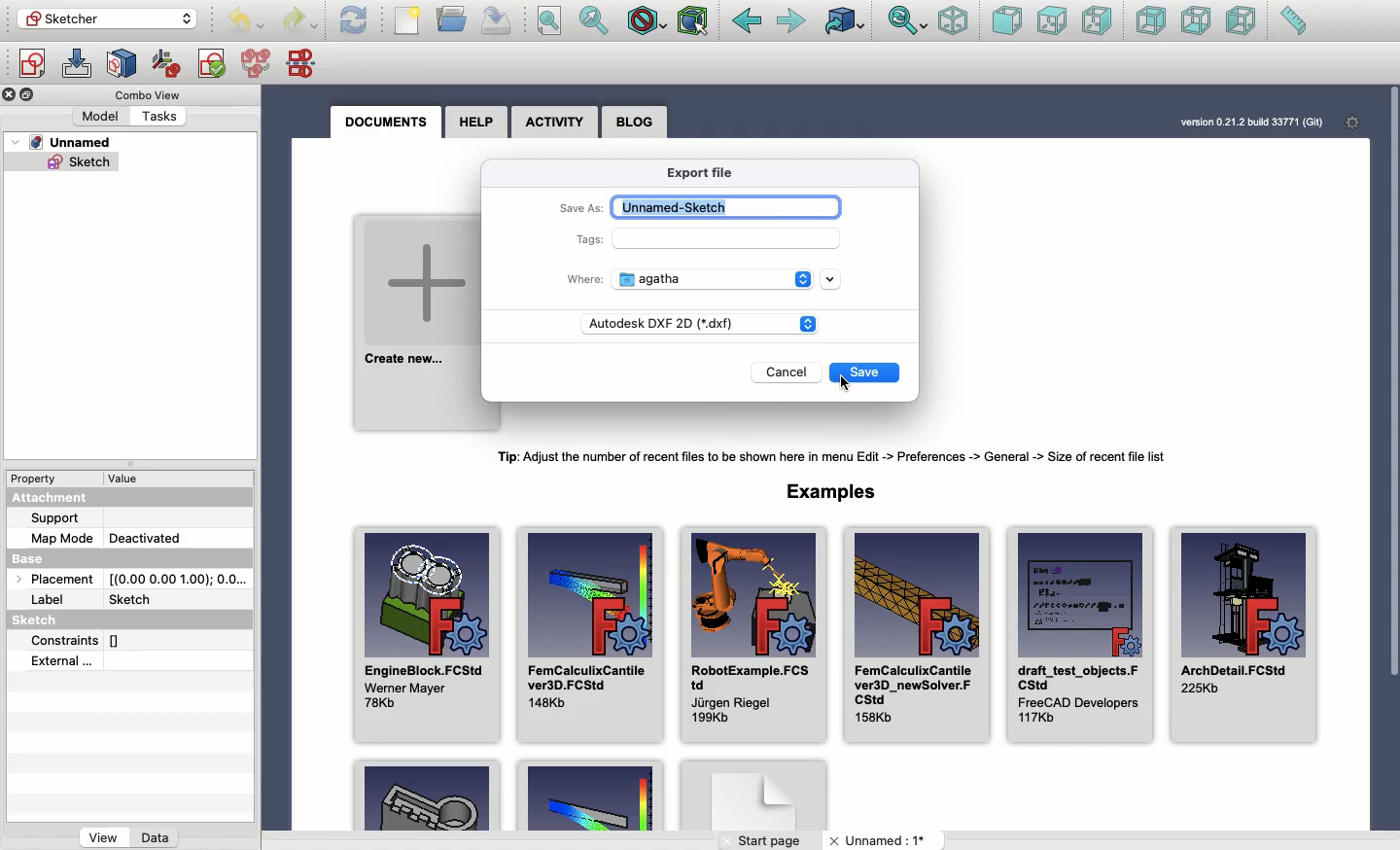  I want to click on Tip: Adjust the number of recent files to be shown here in menu Edit -> Preferences -> General -> Size of recent fle list, so click(842, 457).